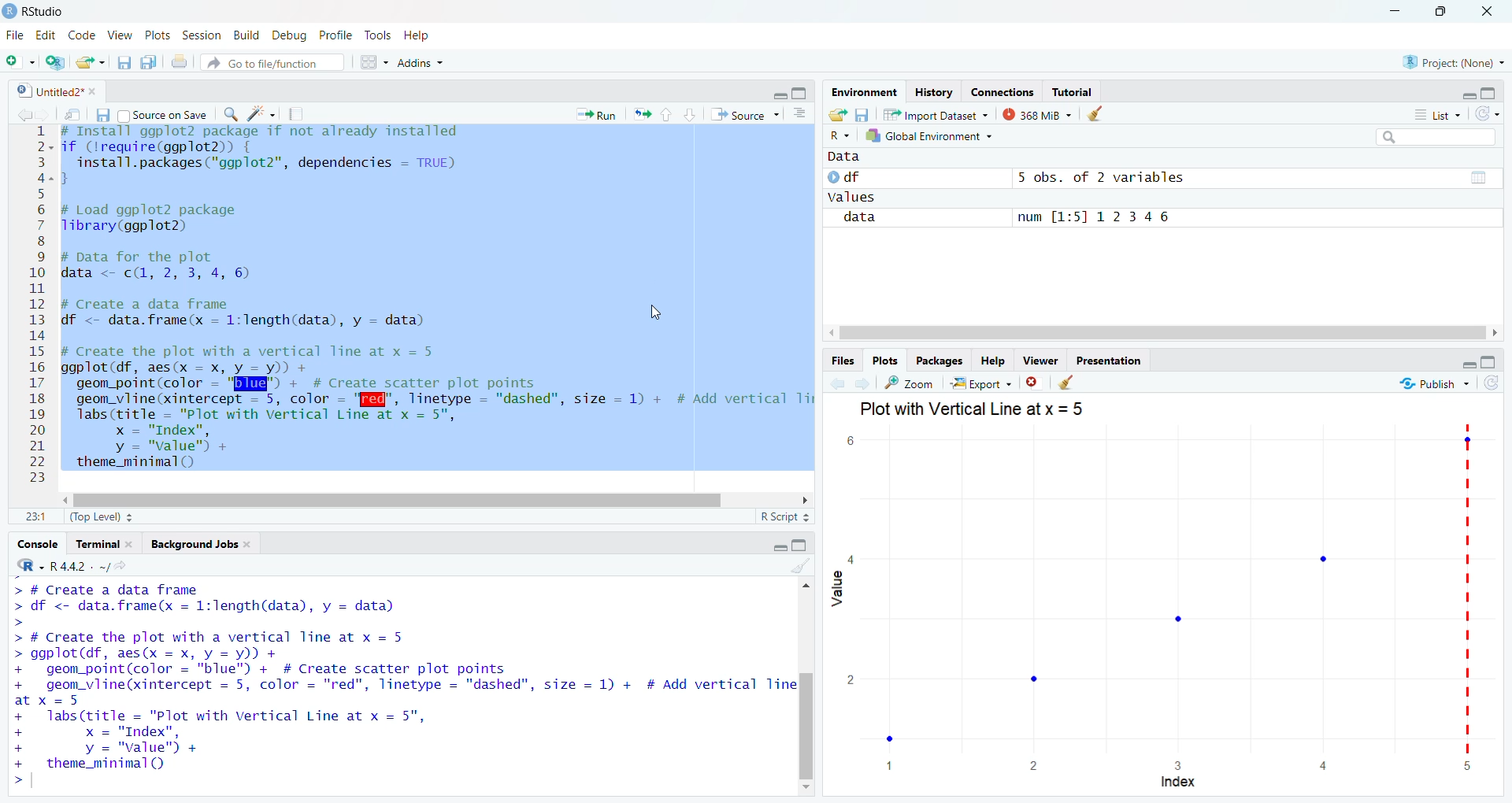 The width and height of the screenshot is (1512, 803). What do you see at coordinates (106, 115) in the screenshot?
I see `files` at bounding box center [106, 115].